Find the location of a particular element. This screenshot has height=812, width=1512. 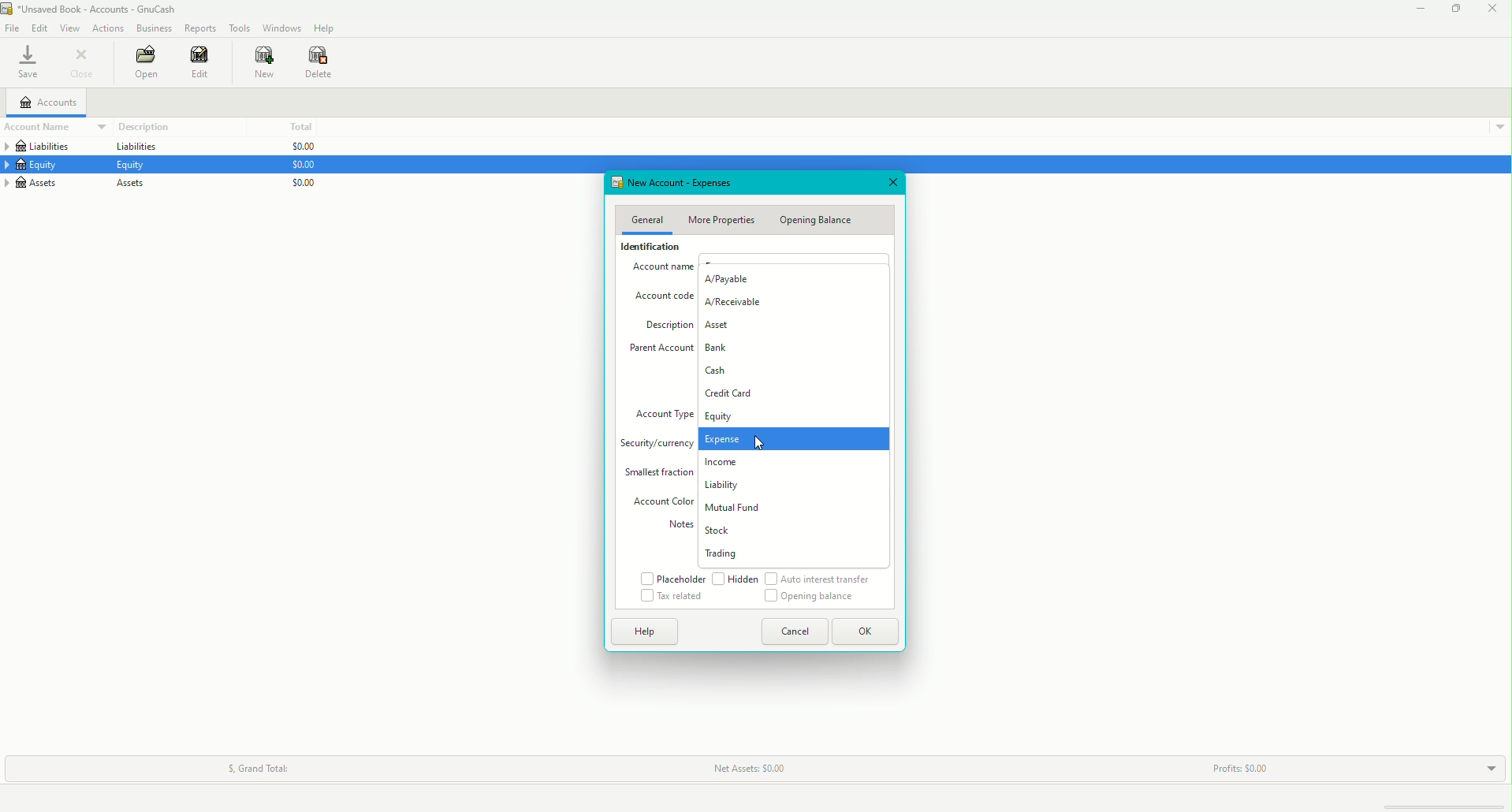

Cancel is located at coordinates (799, 634).